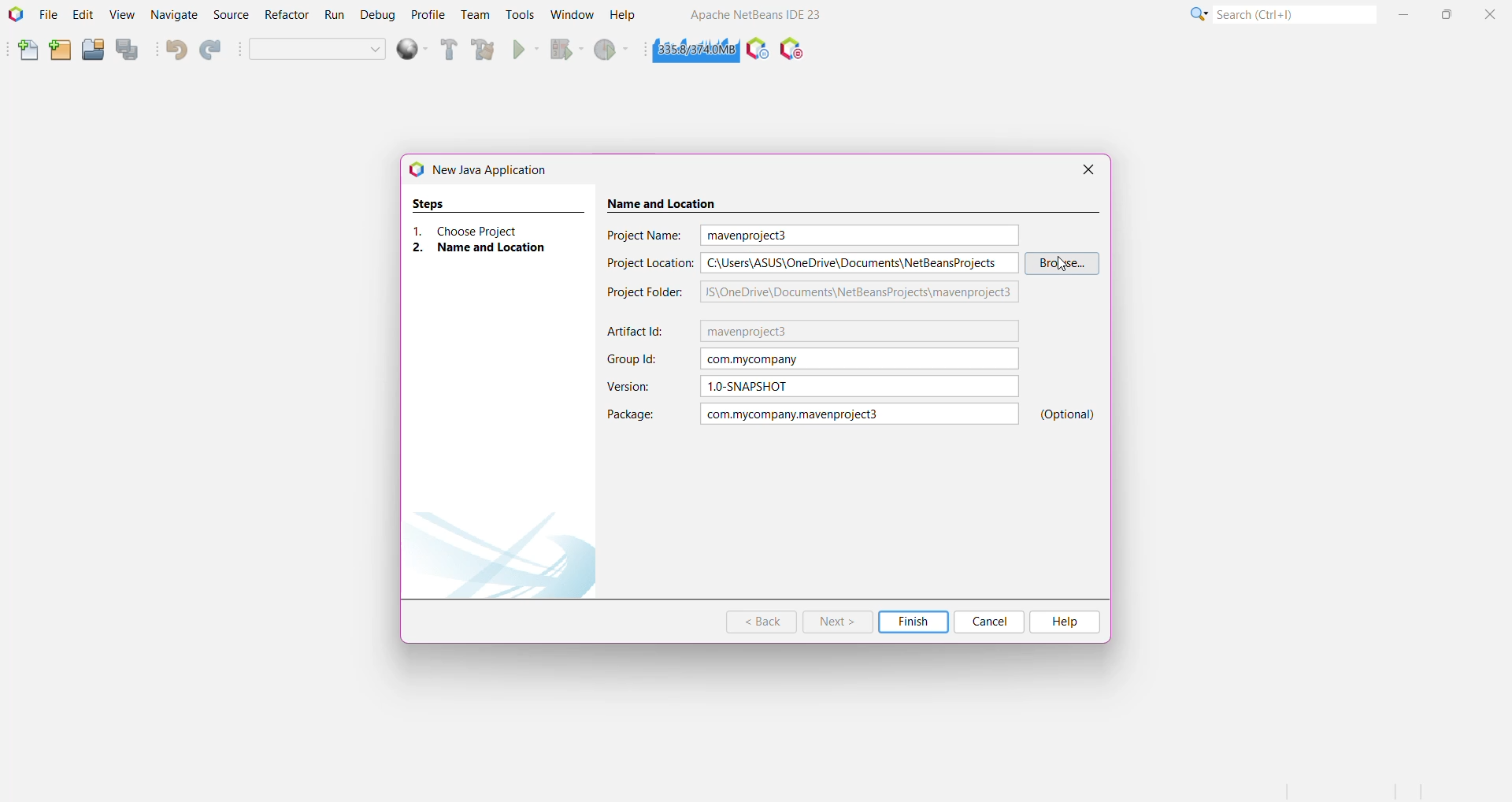 This screenshot has height=802, width=1512. What do you see at coordinates (285, 15) in the screenshot?
I see `Refractor` at bounding box center [285, 15].